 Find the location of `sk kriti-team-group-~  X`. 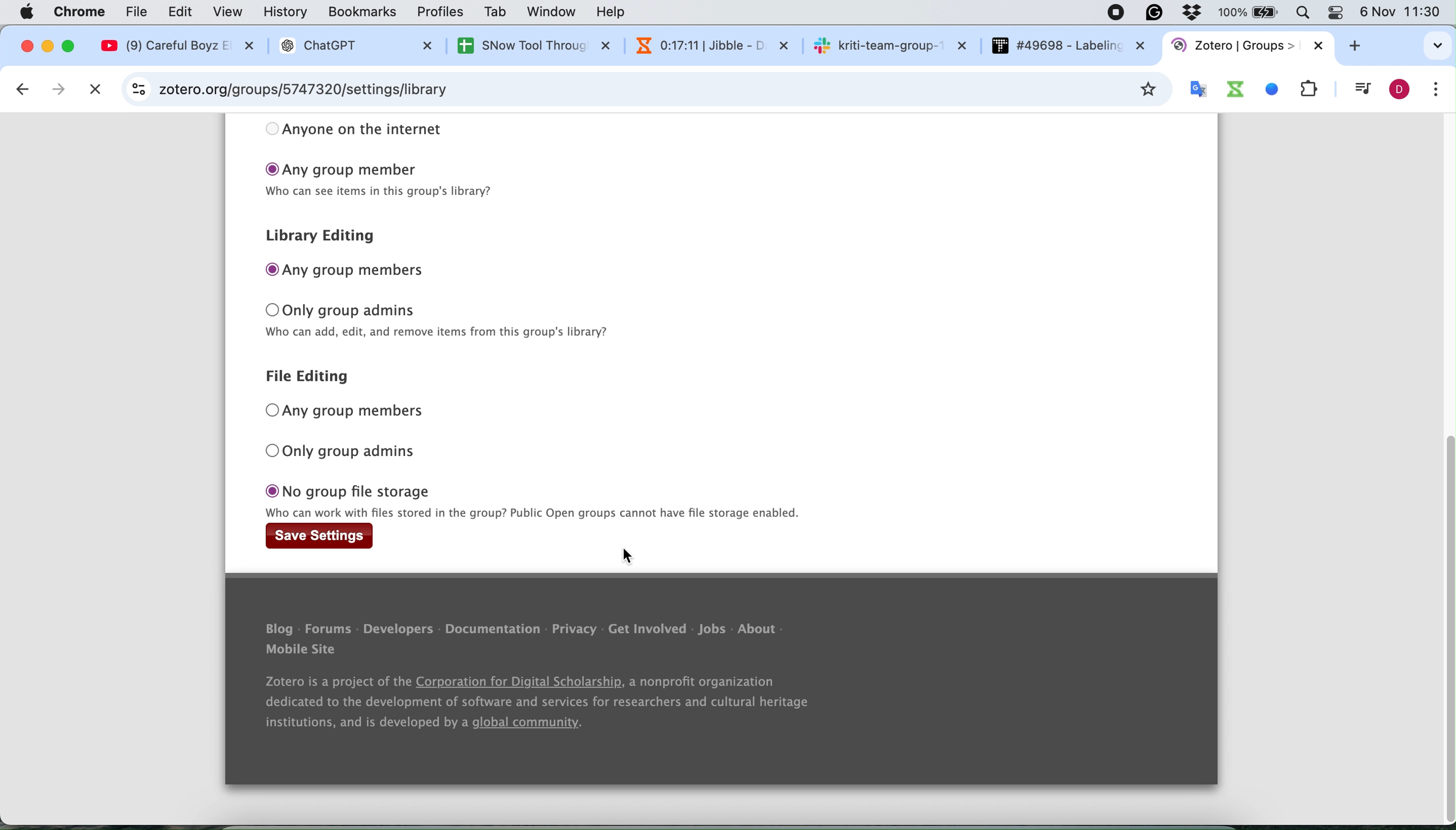

sk kriti-team-group-~  X is located at coordinates (889, 44).